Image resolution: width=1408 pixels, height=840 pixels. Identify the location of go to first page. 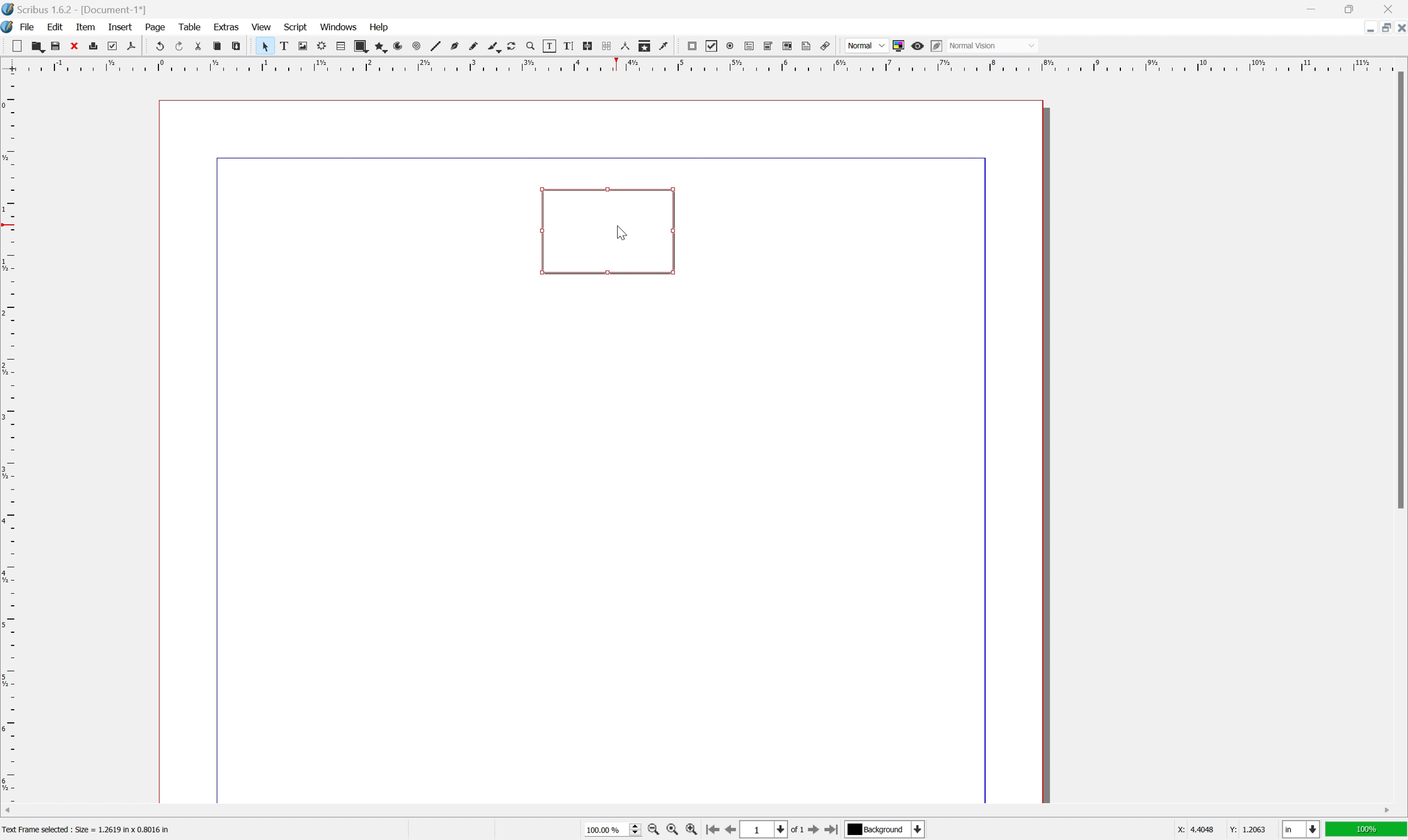
(712, 830).